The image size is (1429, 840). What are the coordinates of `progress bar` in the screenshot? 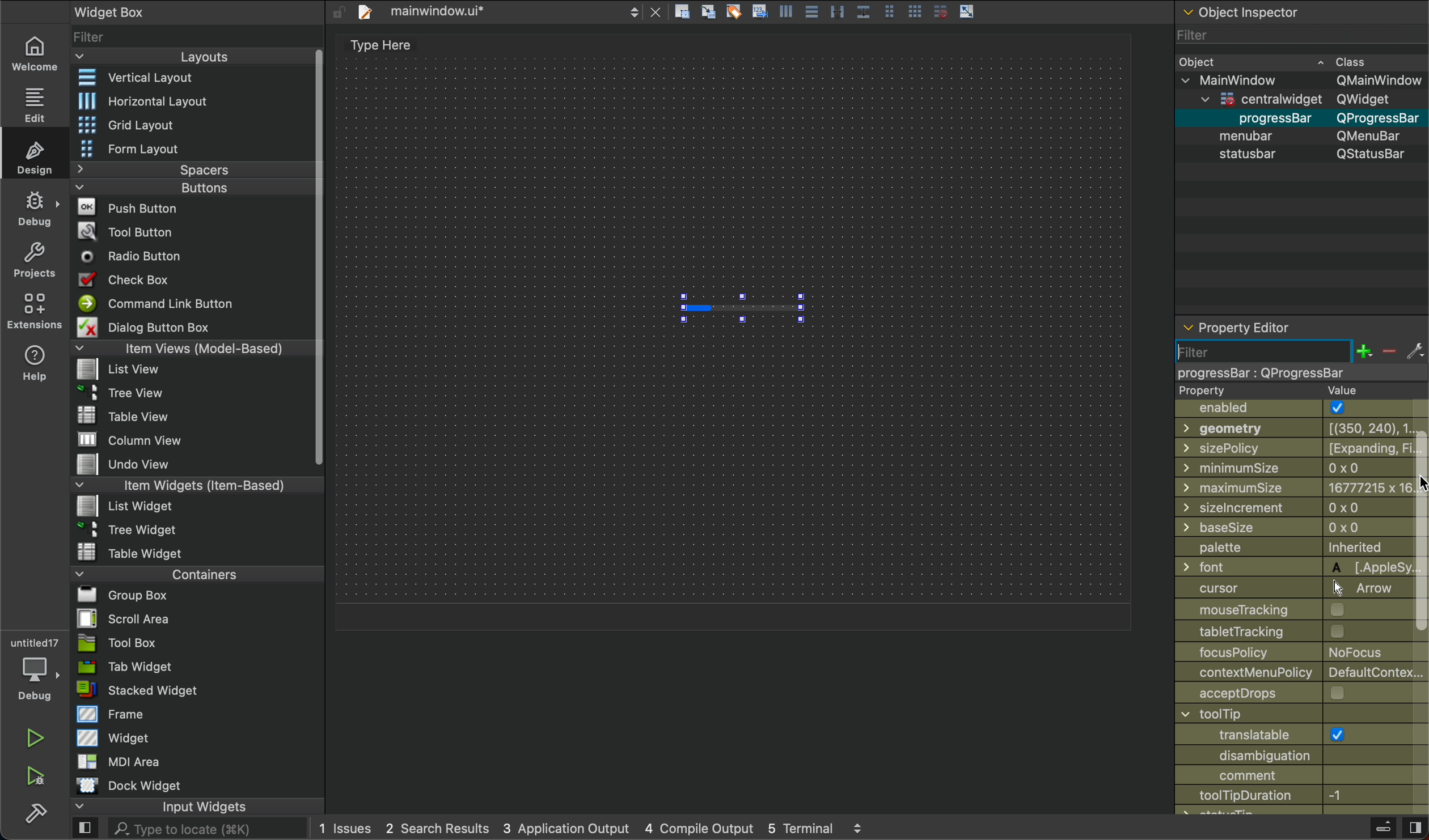 It's located at (742, 308).